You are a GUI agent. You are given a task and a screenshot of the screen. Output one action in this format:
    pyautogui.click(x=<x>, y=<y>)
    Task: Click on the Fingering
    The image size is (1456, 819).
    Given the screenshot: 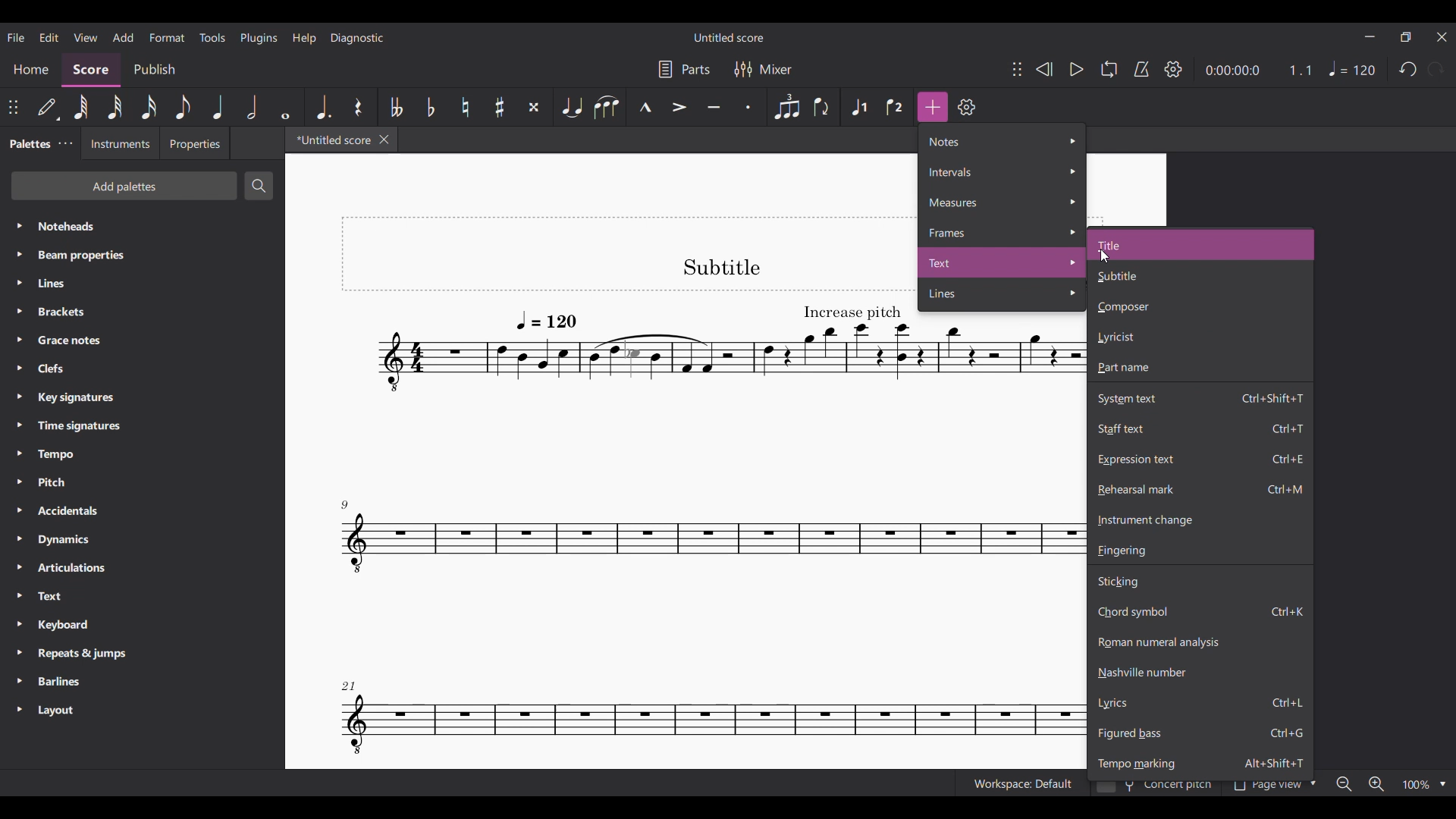 What is the action you would take?
    pyautogui.click(x=1200, y=550)
    